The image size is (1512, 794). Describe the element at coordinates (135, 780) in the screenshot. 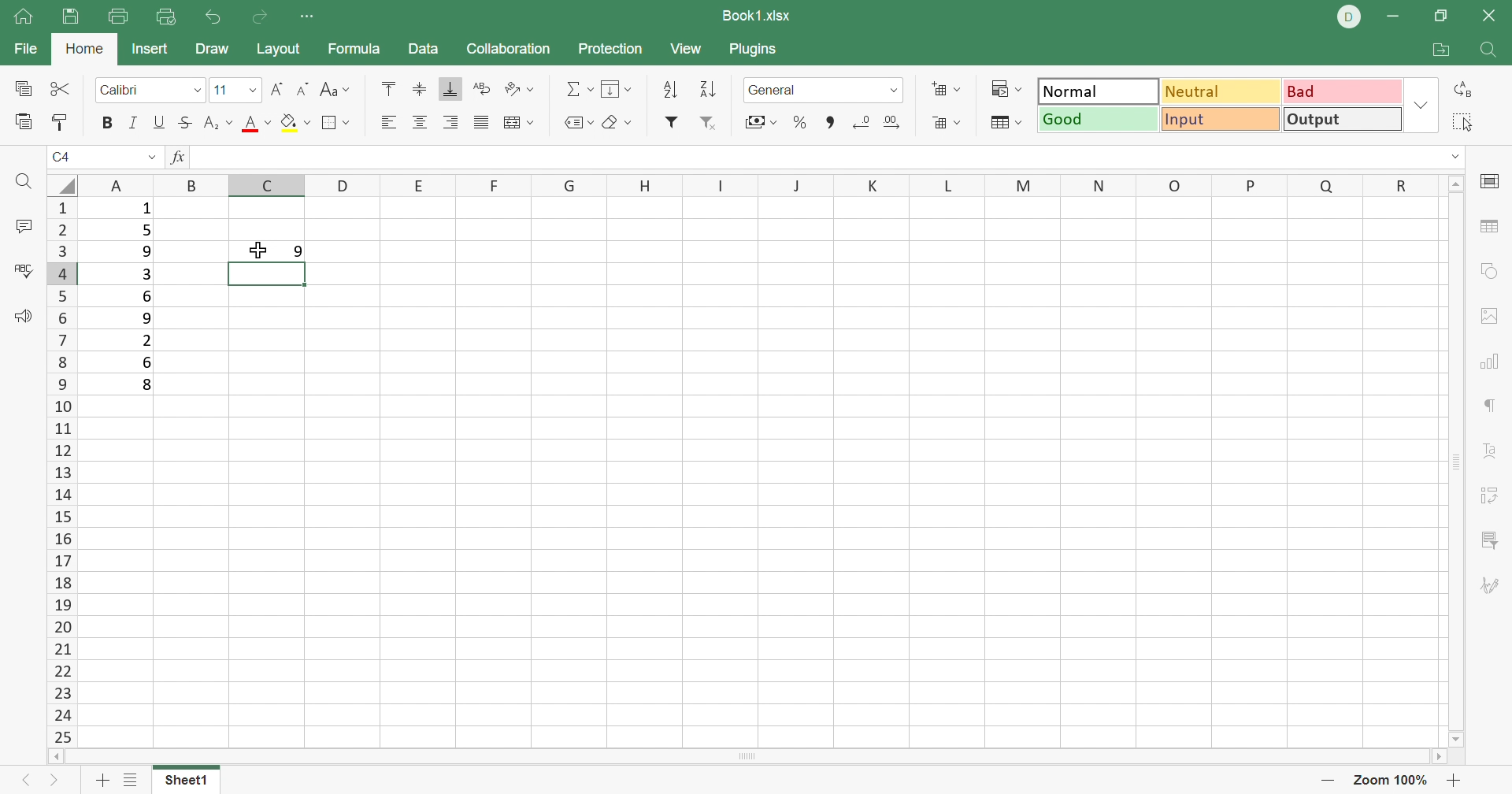

I see `List of sheets` at that location.